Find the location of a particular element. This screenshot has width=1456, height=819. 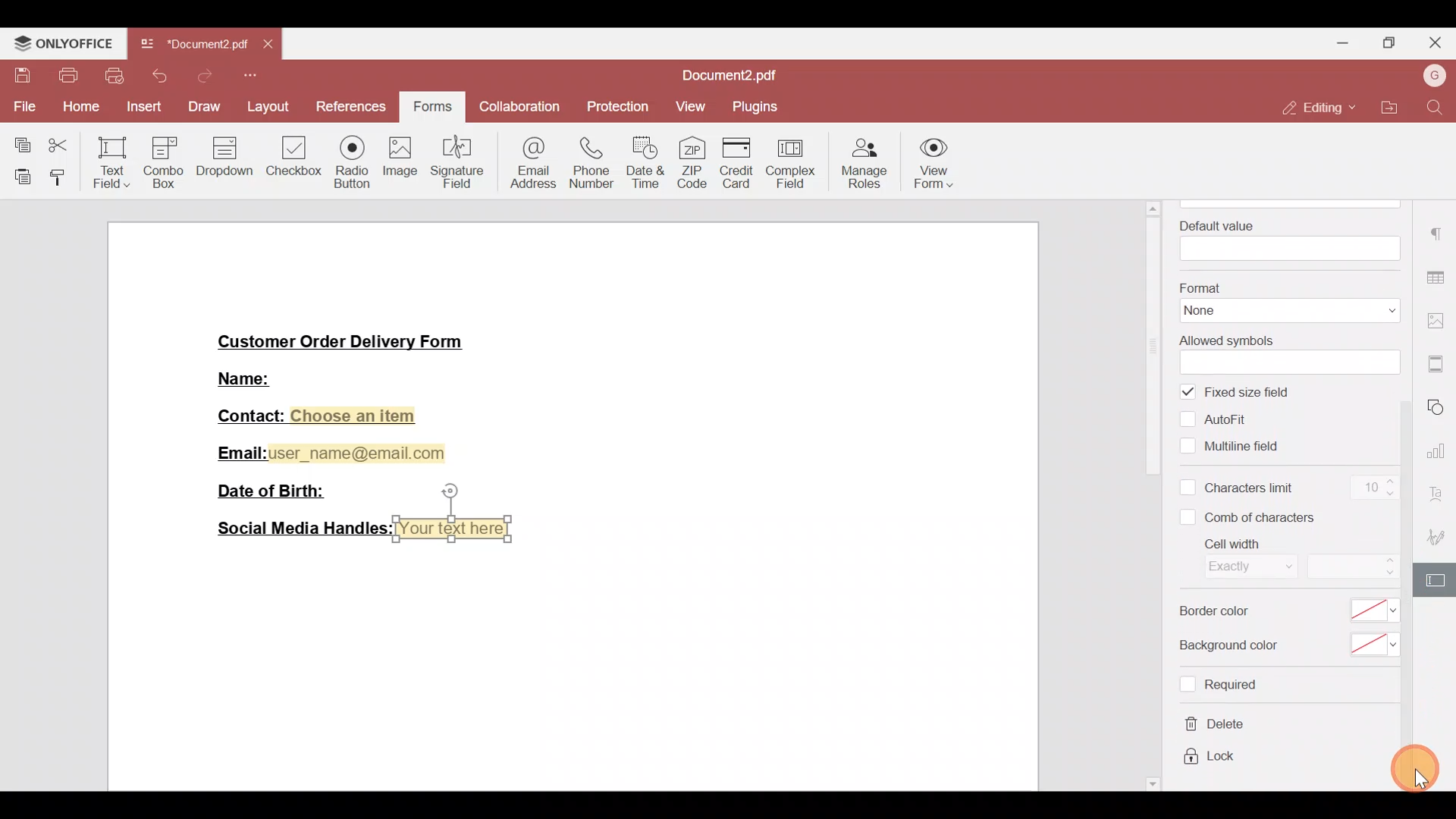

Email address is located at coordinates (527, 165).